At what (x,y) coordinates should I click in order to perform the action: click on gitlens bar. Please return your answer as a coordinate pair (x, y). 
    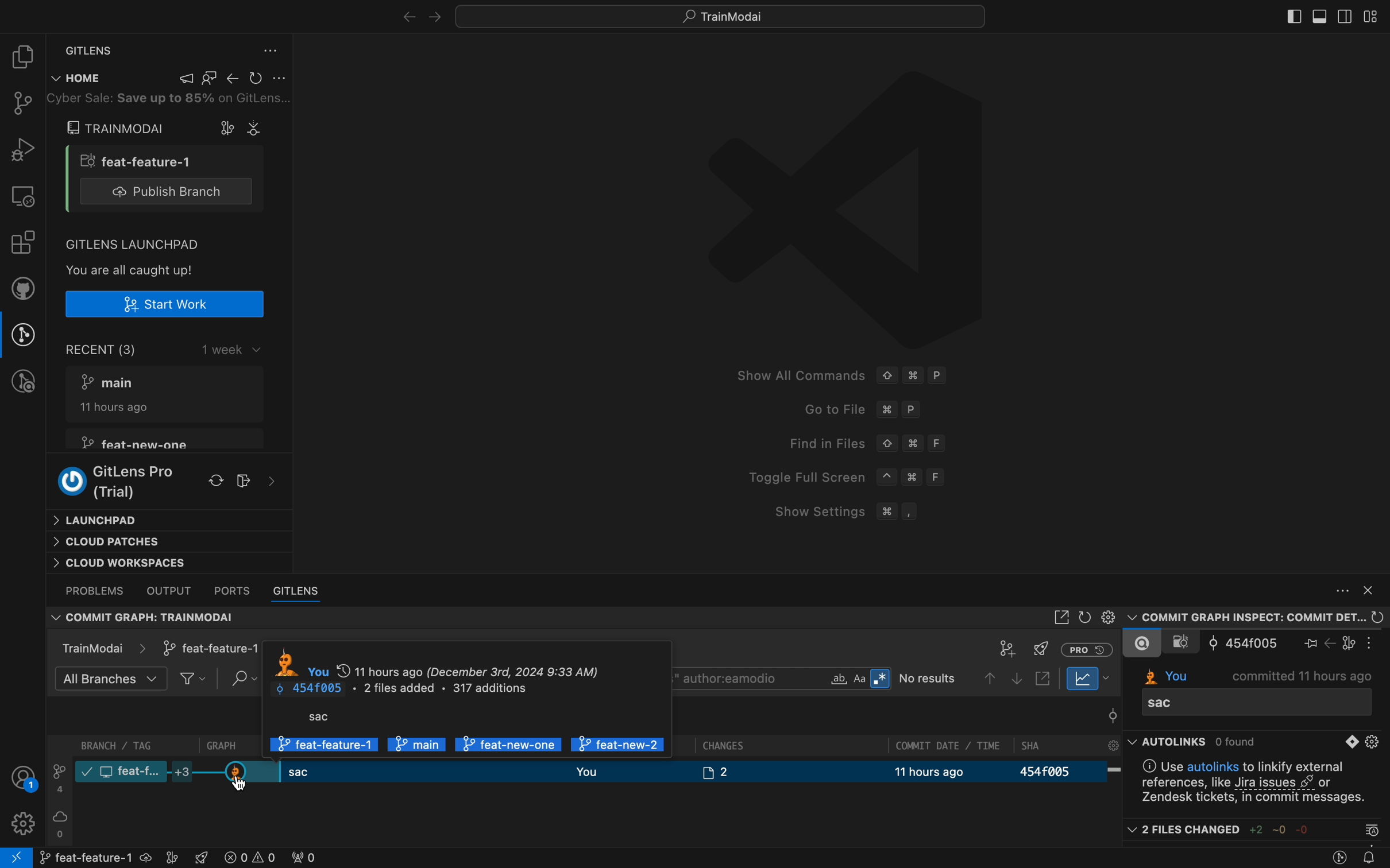
    Looking at the image, I should click on (298, 590).